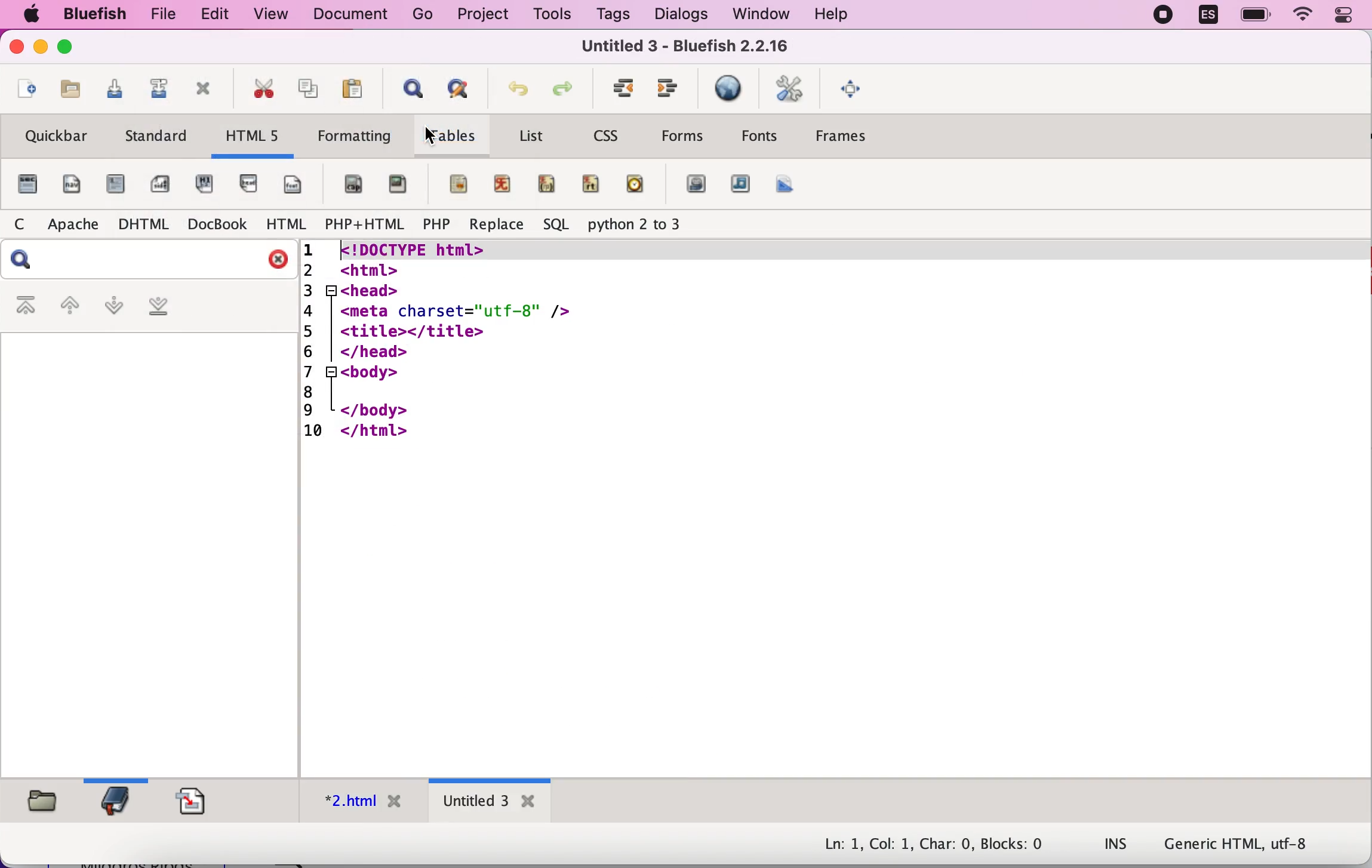 The image size is (1372, 868). I want to click on minimize, so click(42, 47).